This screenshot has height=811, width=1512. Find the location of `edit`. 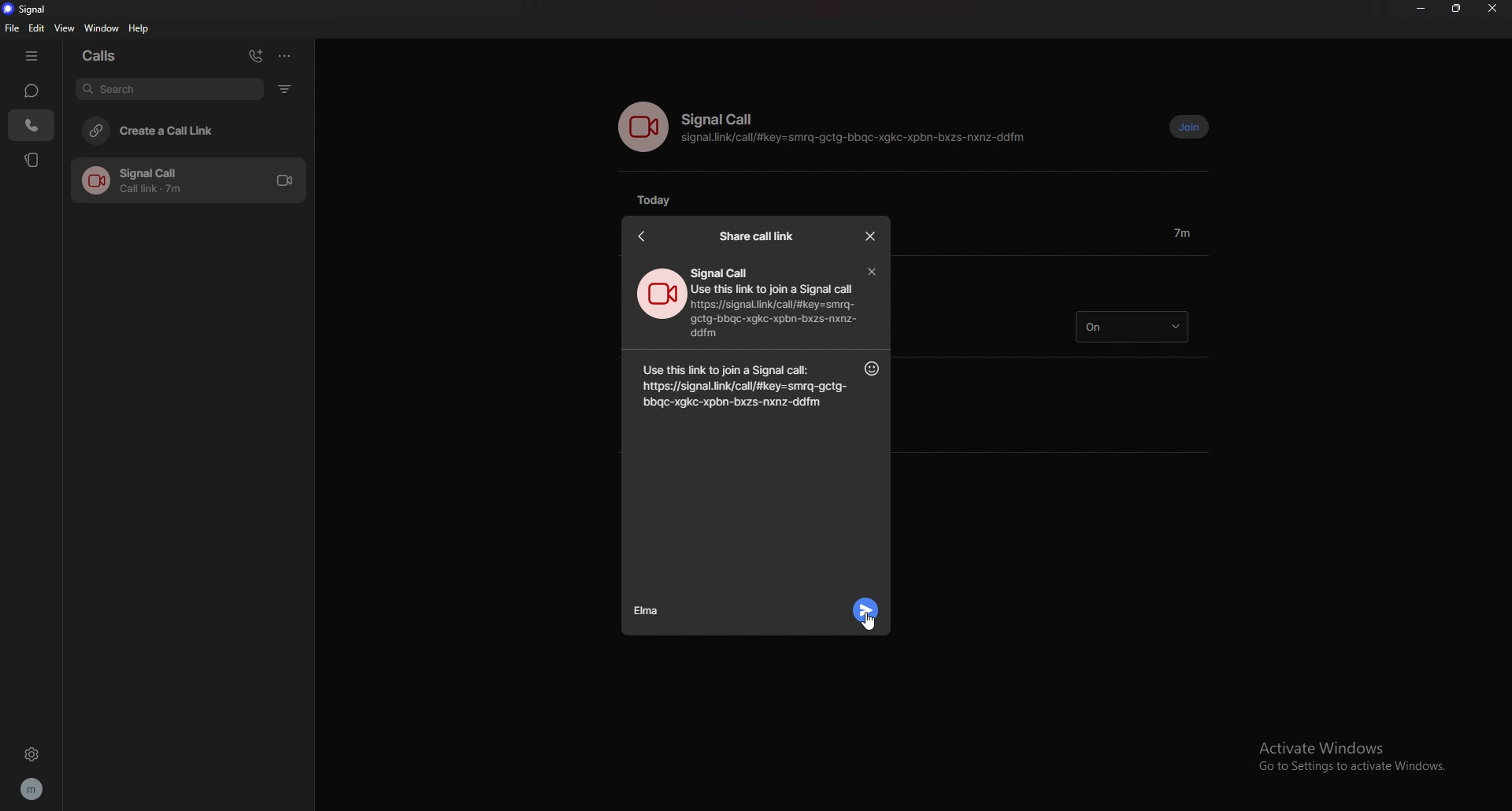

edit is located at coordinates (37, 28).